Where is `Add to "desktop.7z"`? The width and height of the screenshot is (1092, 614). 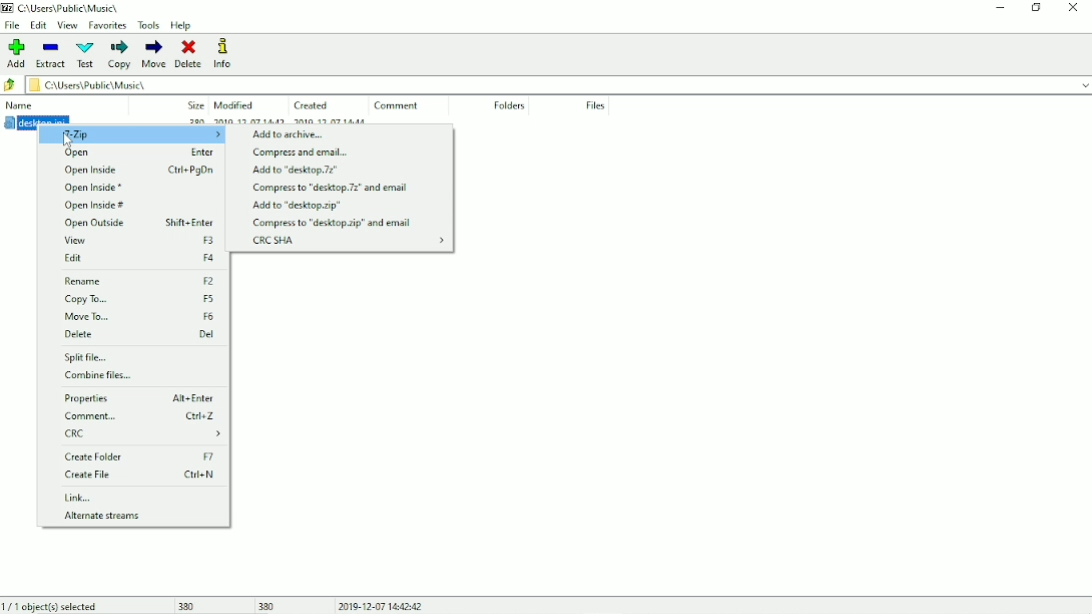 Add to "desktop.7z" is located at coordinates (297, 170).